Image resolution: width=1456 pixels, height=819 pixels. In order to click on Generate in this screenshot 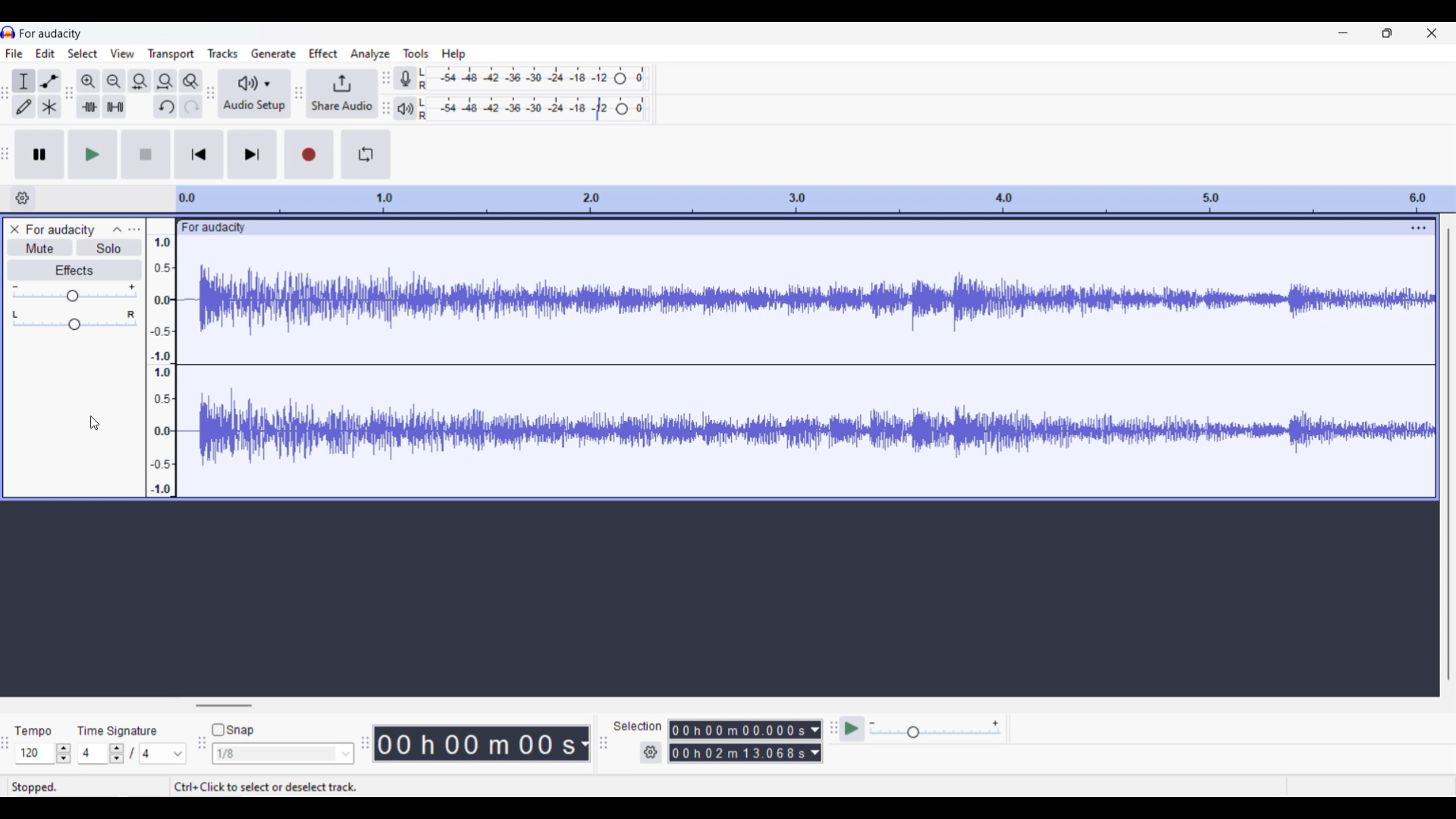, I will do `click(273, 52)`.